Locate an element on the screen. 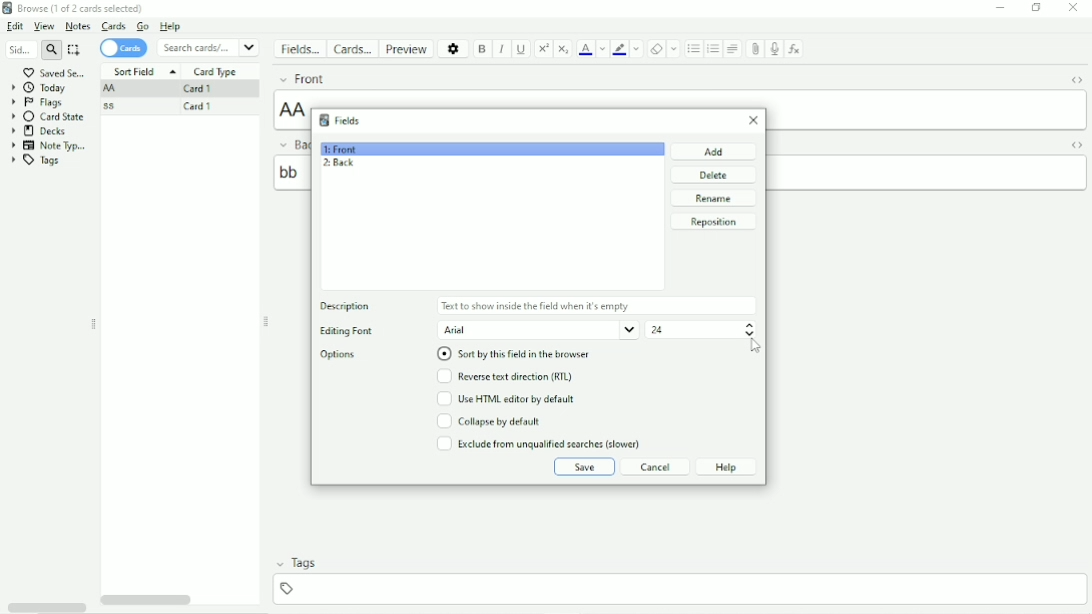 The image size is (1092, 614). Tags is located at coordinates (36, 161).